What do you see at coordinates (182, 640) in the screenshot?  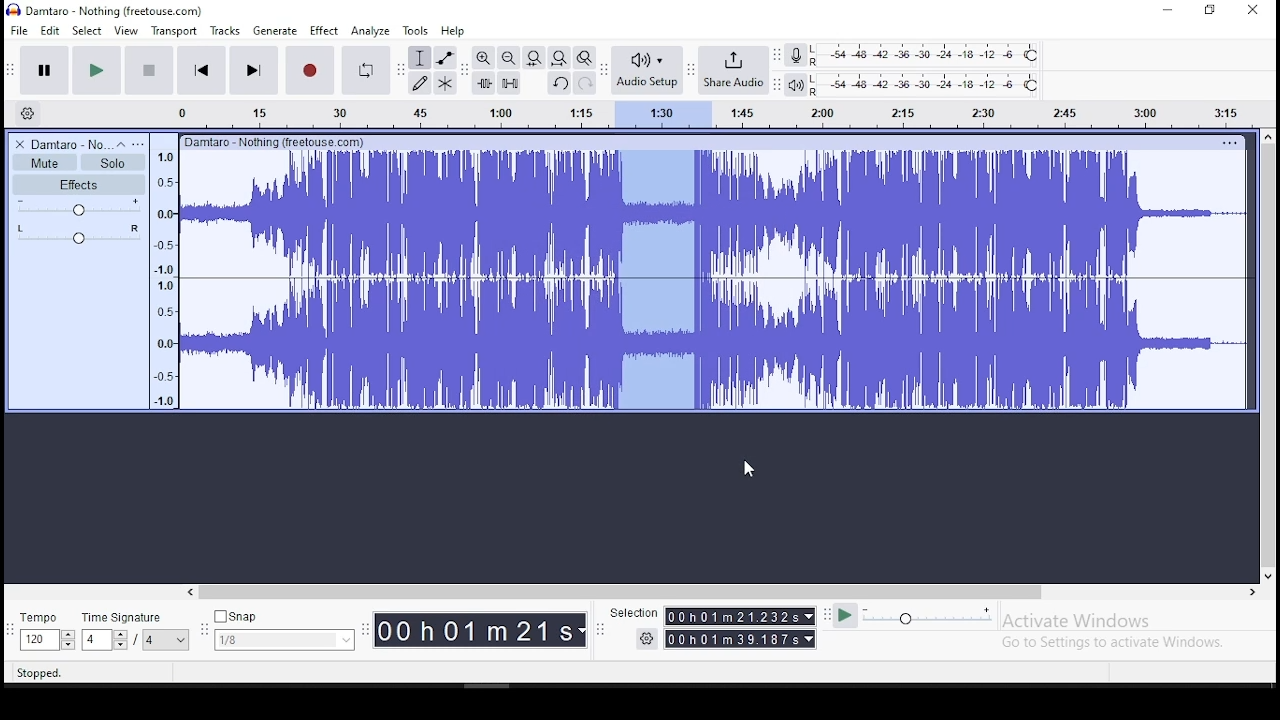 I see `drop down` at bounding box center [182, 640].